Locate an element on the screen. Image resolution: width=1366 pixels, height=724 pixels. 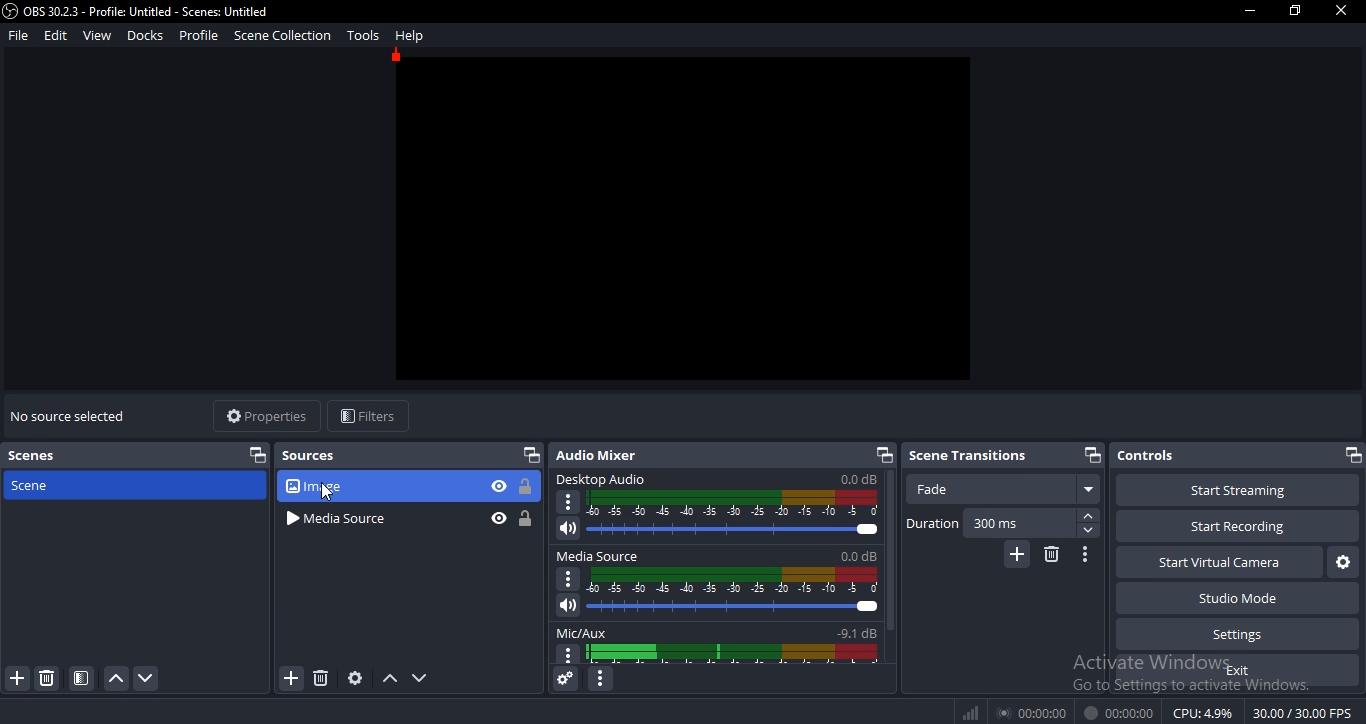
hide is located at coordinates (499, 517).